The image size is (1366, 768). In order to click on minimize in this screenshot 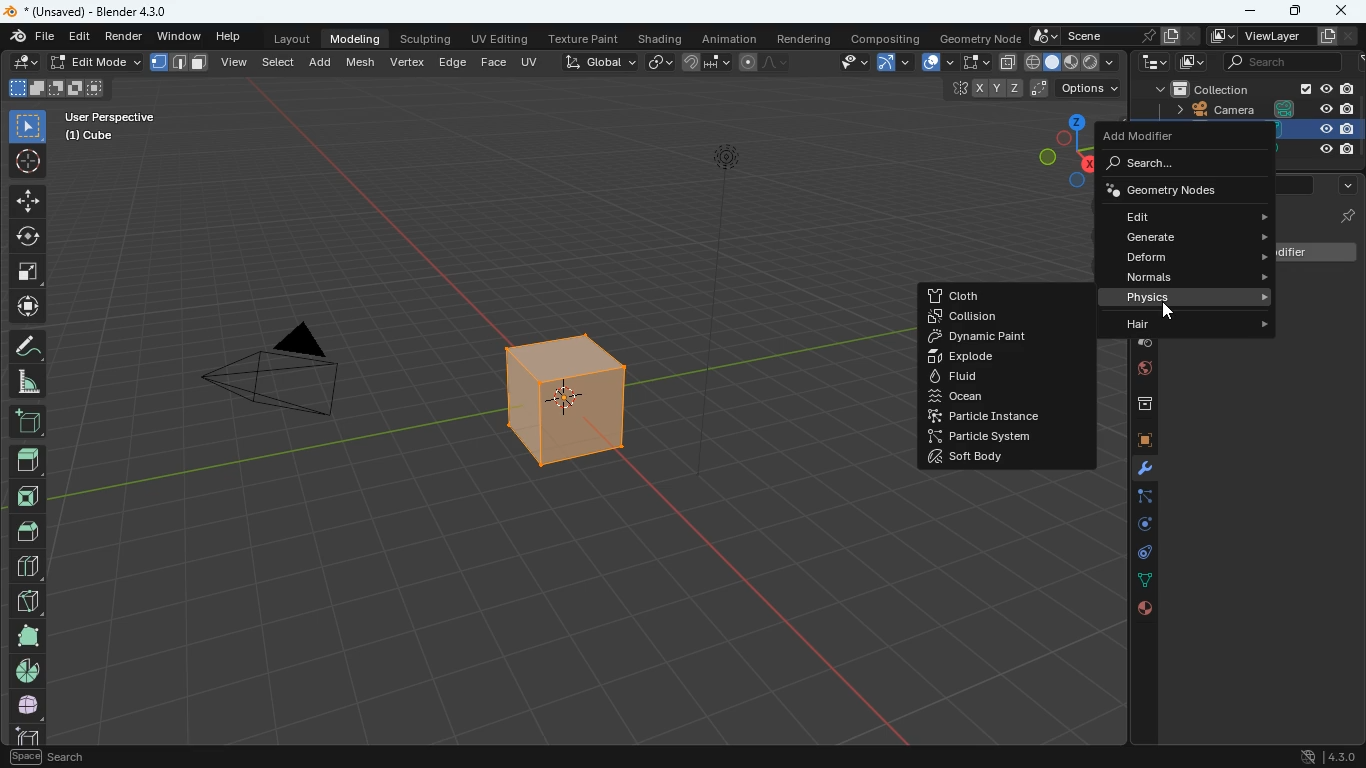, I will do `click(1251, 12)`.